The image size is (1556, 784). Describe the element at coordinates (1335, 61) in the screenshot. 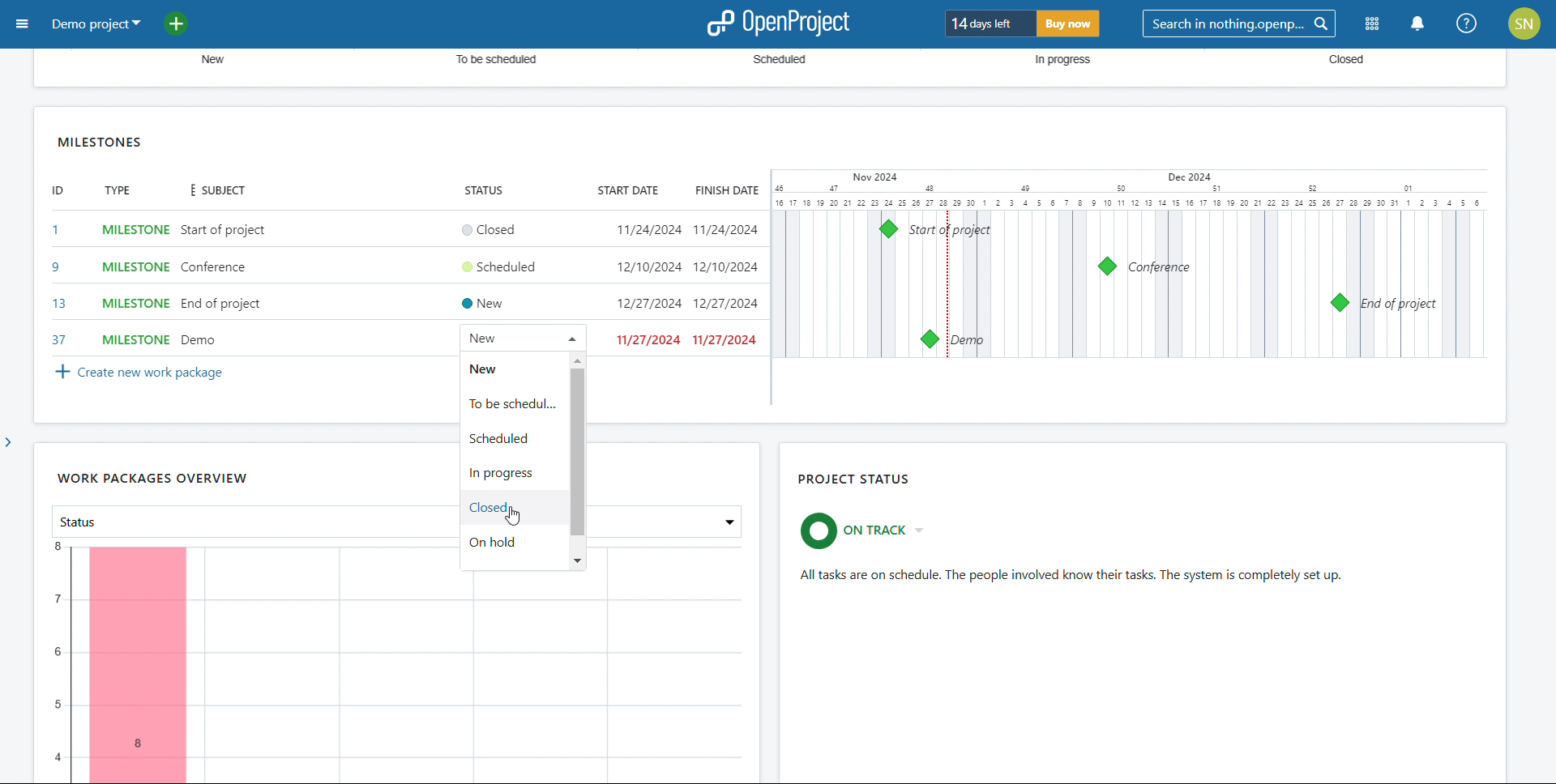

I see `Closed` at that location.